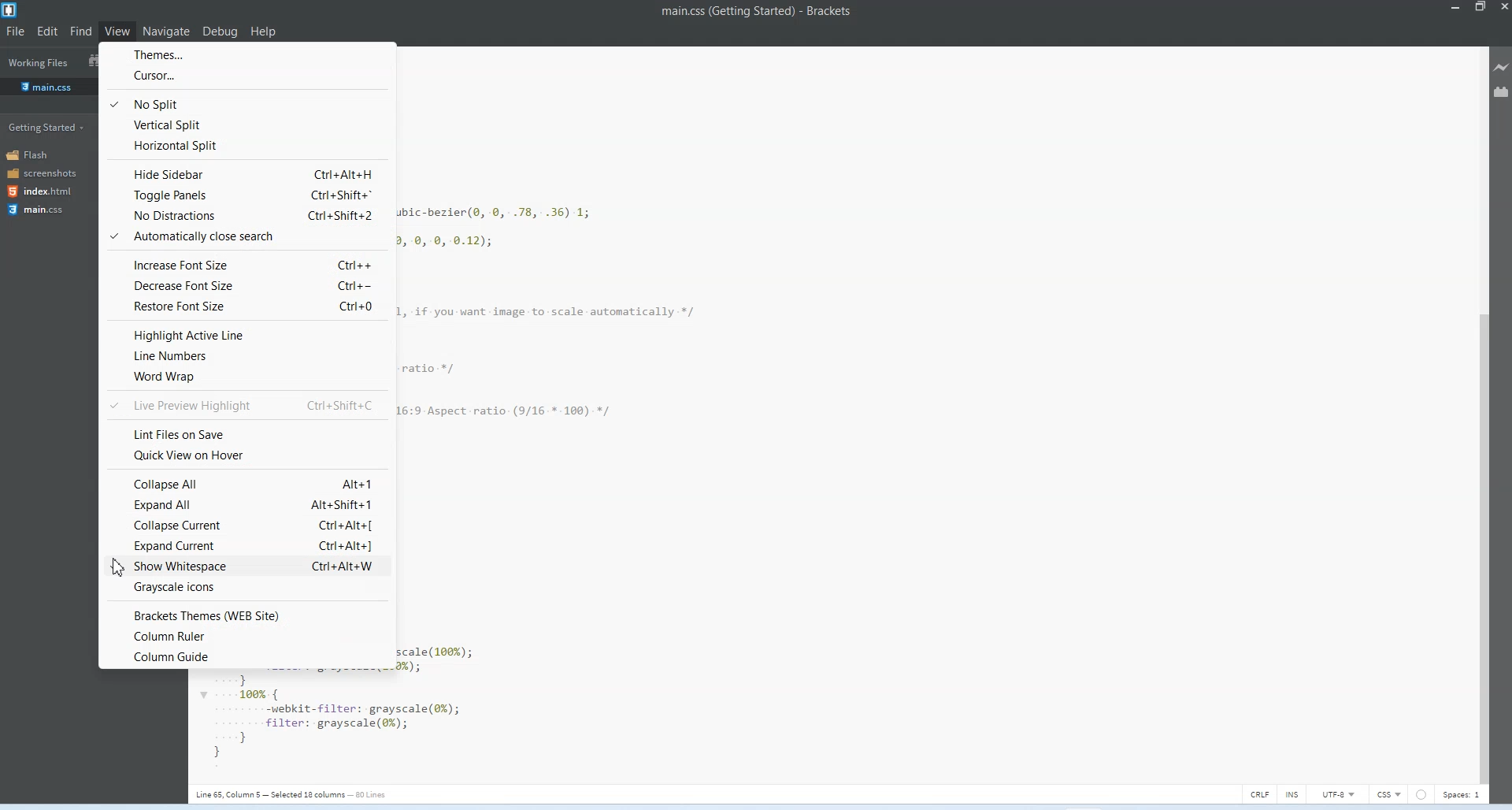  What do you see at coordinates (246, 434) in the screenshot?
I see `Lint file on save` at bounding box center [246, 434].